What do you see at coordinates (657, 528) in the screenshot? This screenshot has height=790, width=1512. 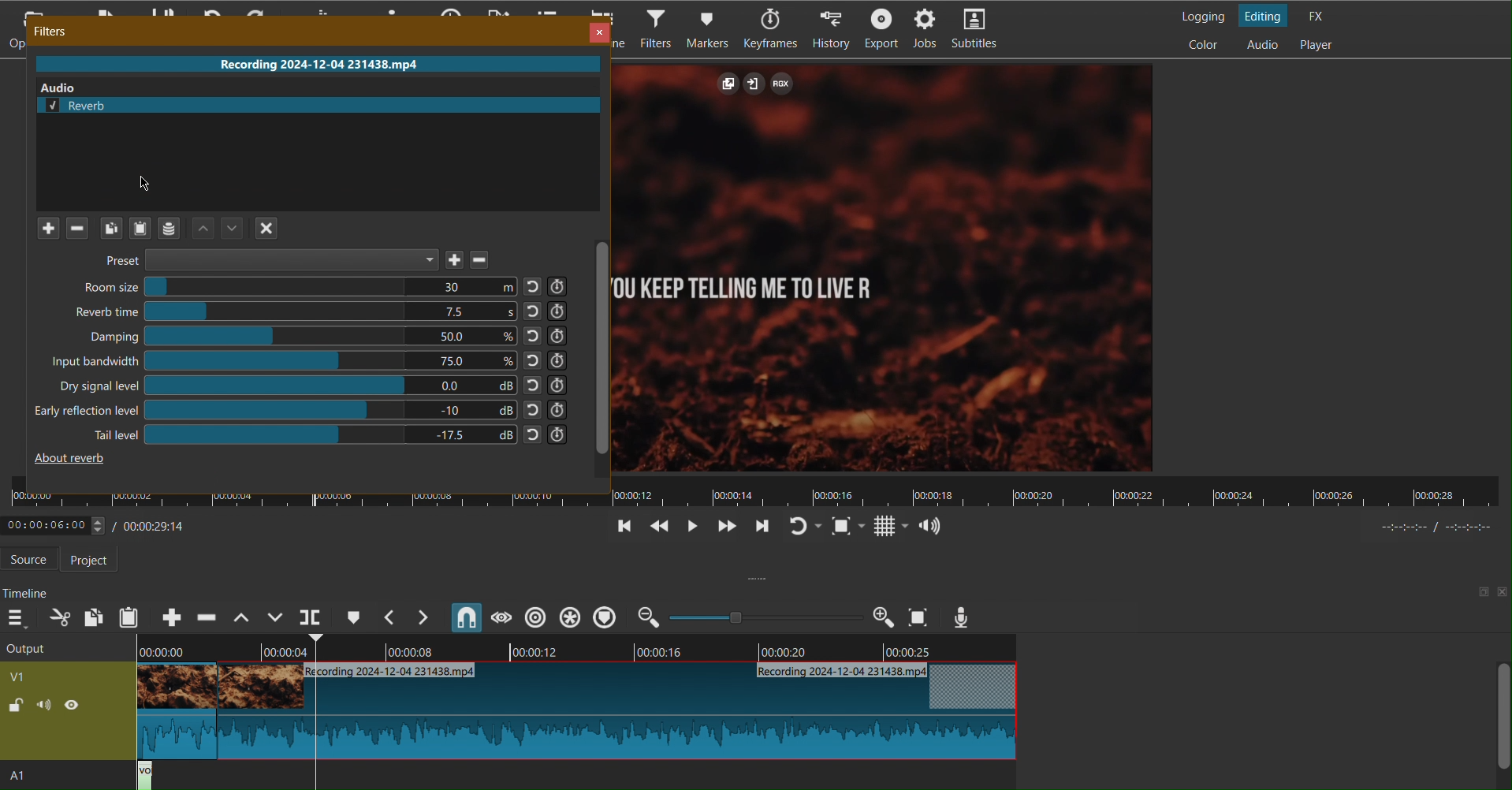 I see `Move Back` at bounding box center [657, 528].